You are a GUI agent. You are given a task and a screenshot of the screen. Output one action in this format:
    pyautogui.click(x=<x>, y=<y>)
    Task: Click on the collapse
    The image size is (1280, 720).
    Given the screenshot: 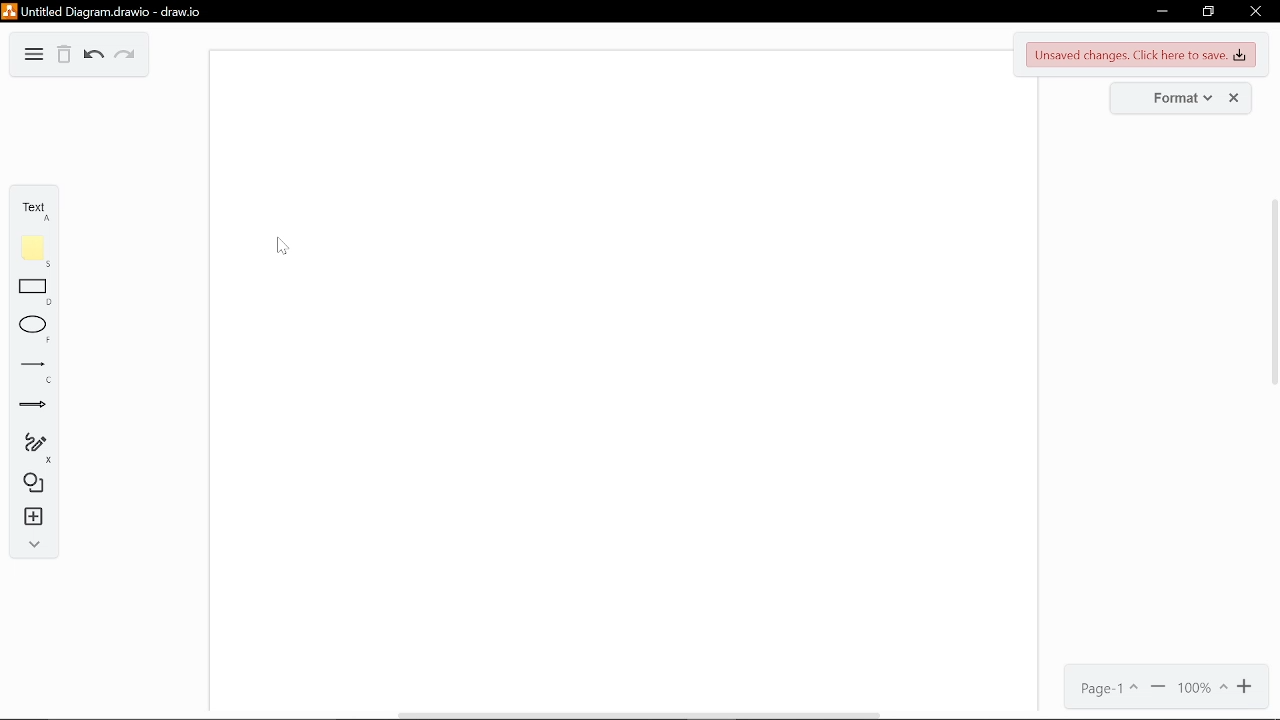 What is the action you would take?
    pyautogui.click(x=34, y=545)
    